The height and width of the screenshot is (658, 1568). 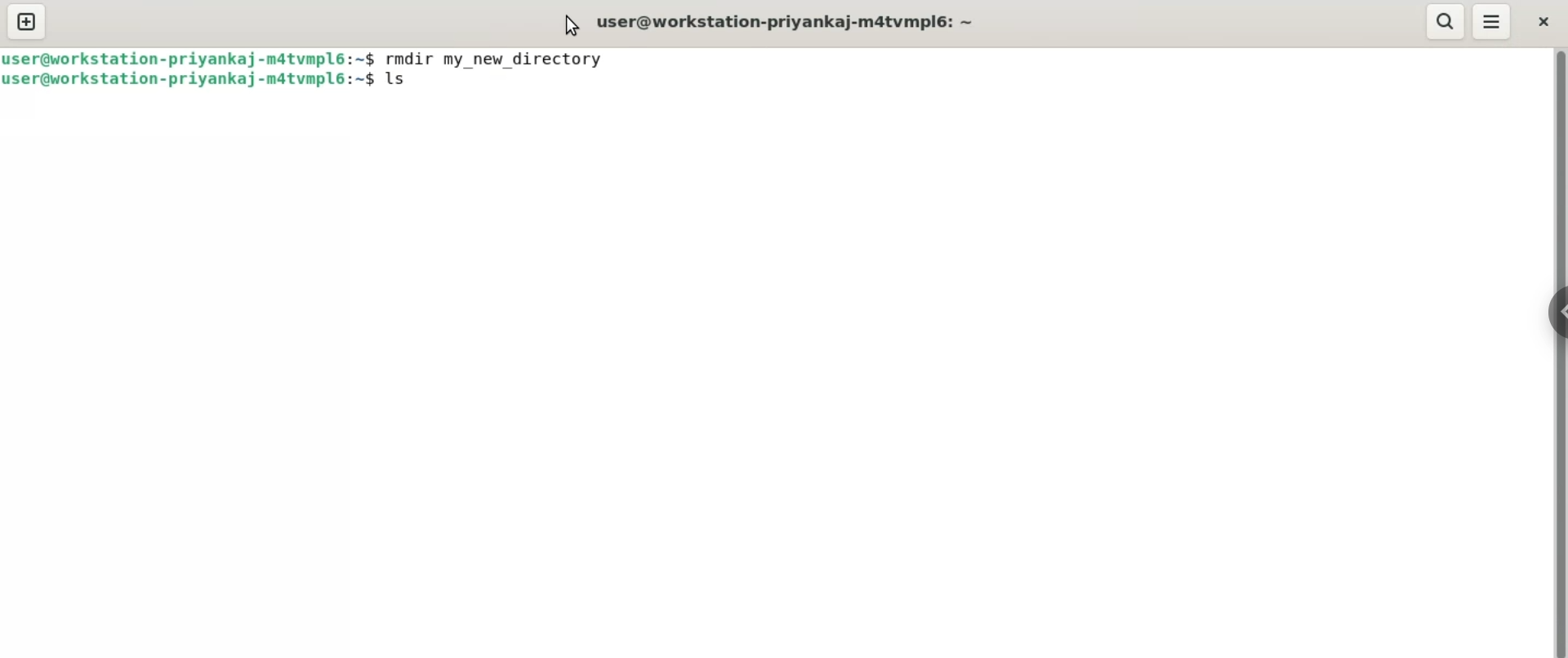 What do you see at coordinates (565, 25) in the screenshot?
I see `cursor` at bounding box center [565, 25].